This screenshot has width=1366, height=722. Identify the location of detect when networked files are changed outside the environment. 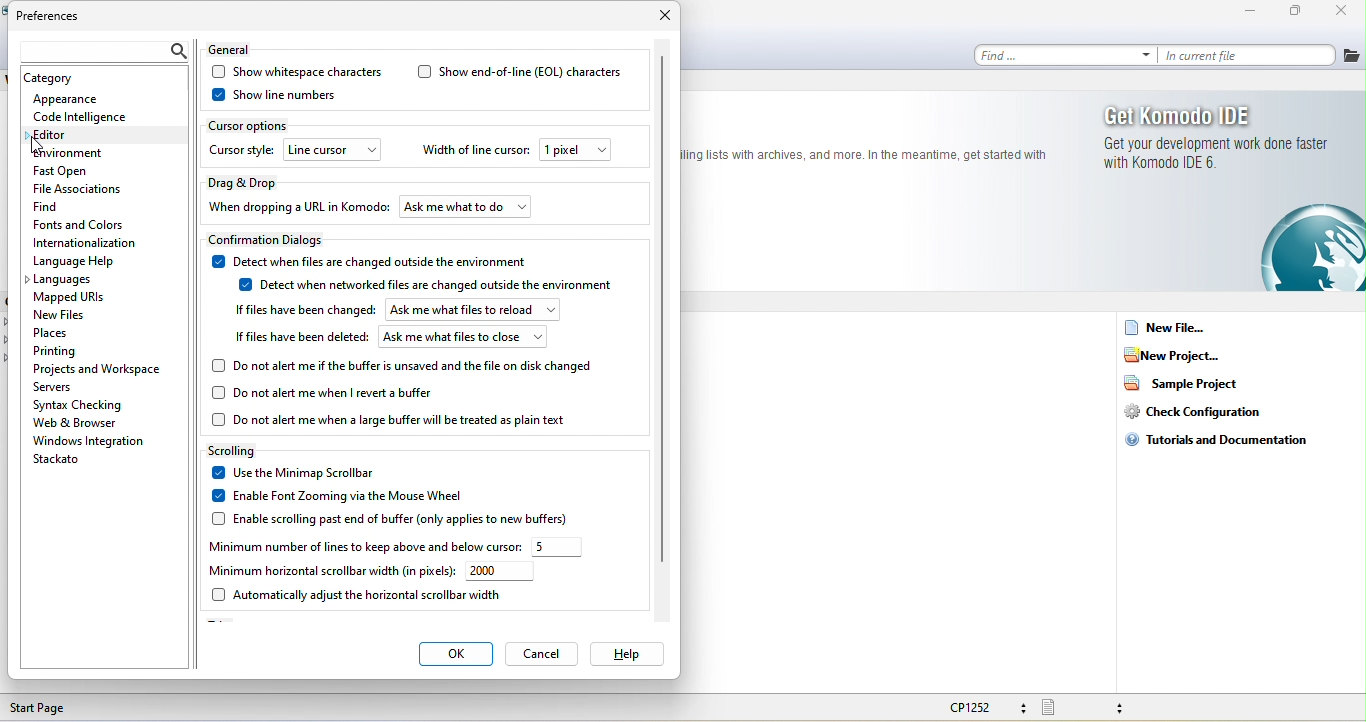
(433, 287).